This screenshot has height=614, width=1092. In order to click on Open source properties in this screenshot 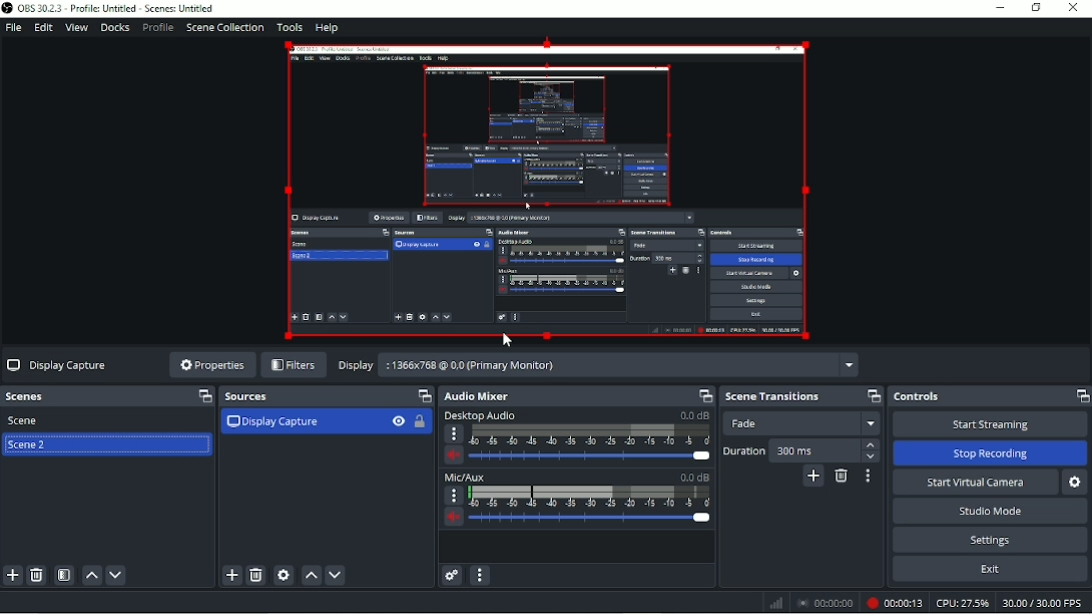, I will do `click(284, 575)`.